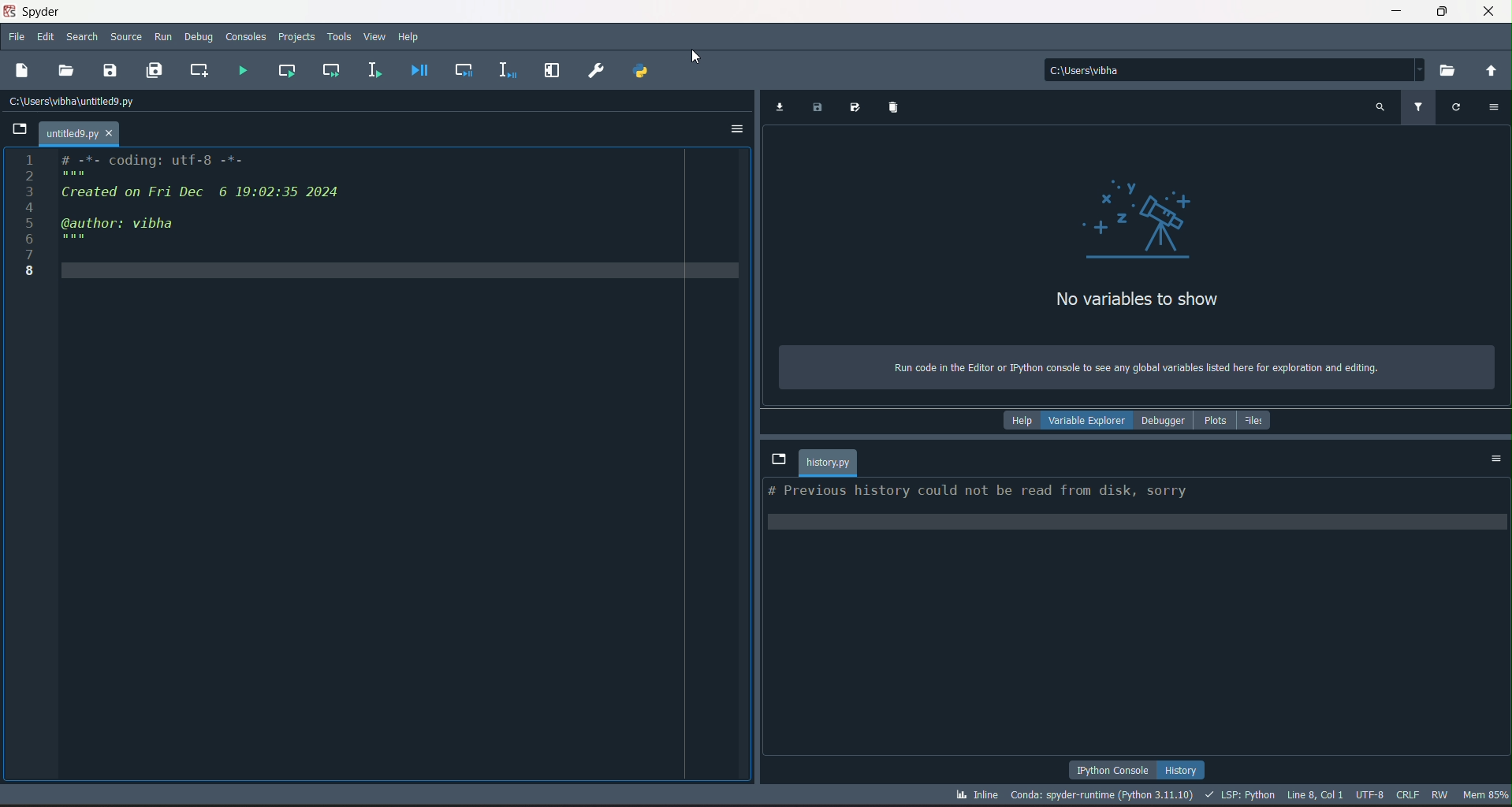  Describe the element at coordinates (895, 109) in the screenshot. I see `remove variables` at that location.